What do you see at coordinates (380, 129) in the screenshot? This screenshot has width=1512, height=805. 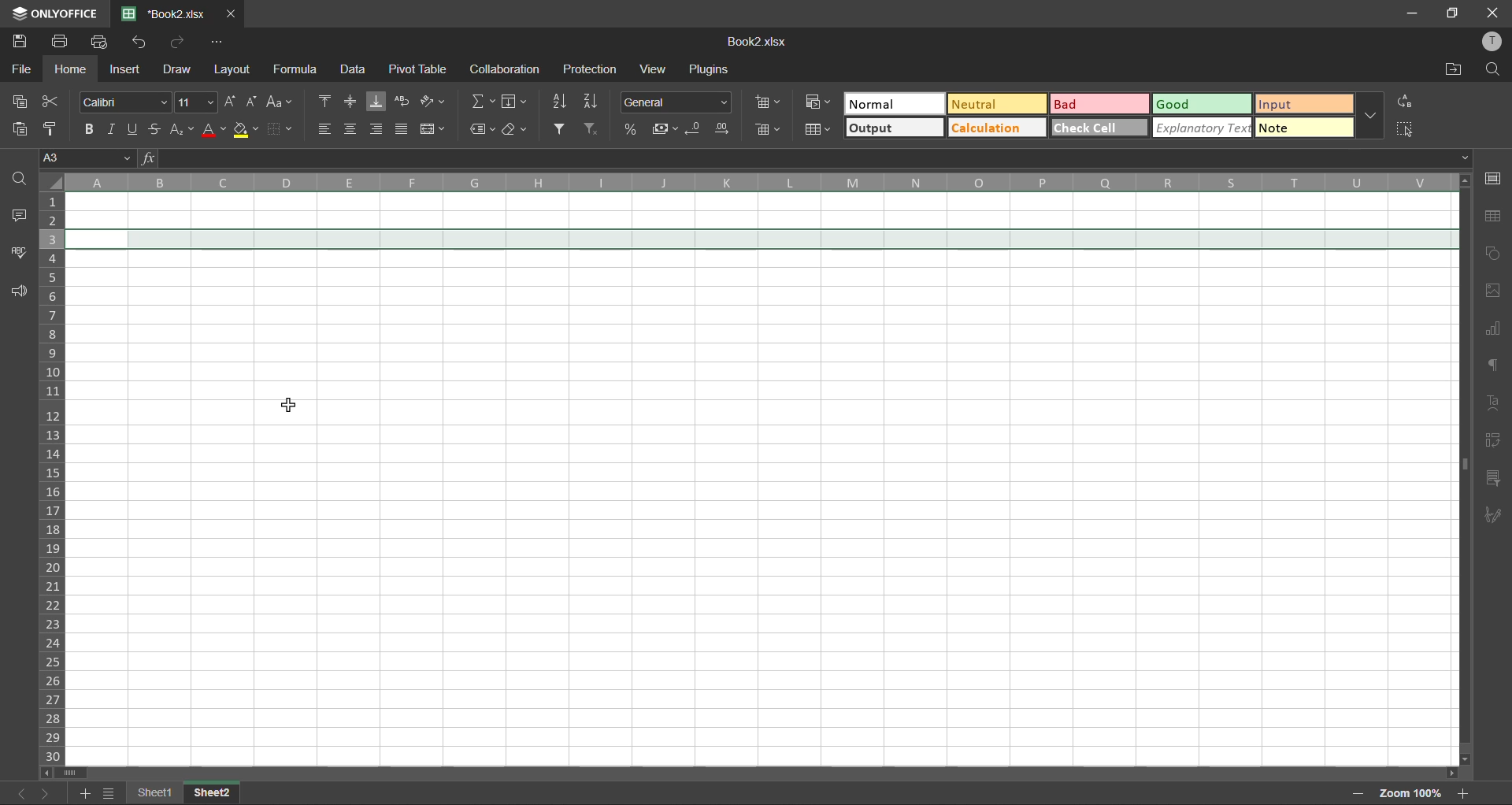 I see `align right` at bounding box center [380, 129].